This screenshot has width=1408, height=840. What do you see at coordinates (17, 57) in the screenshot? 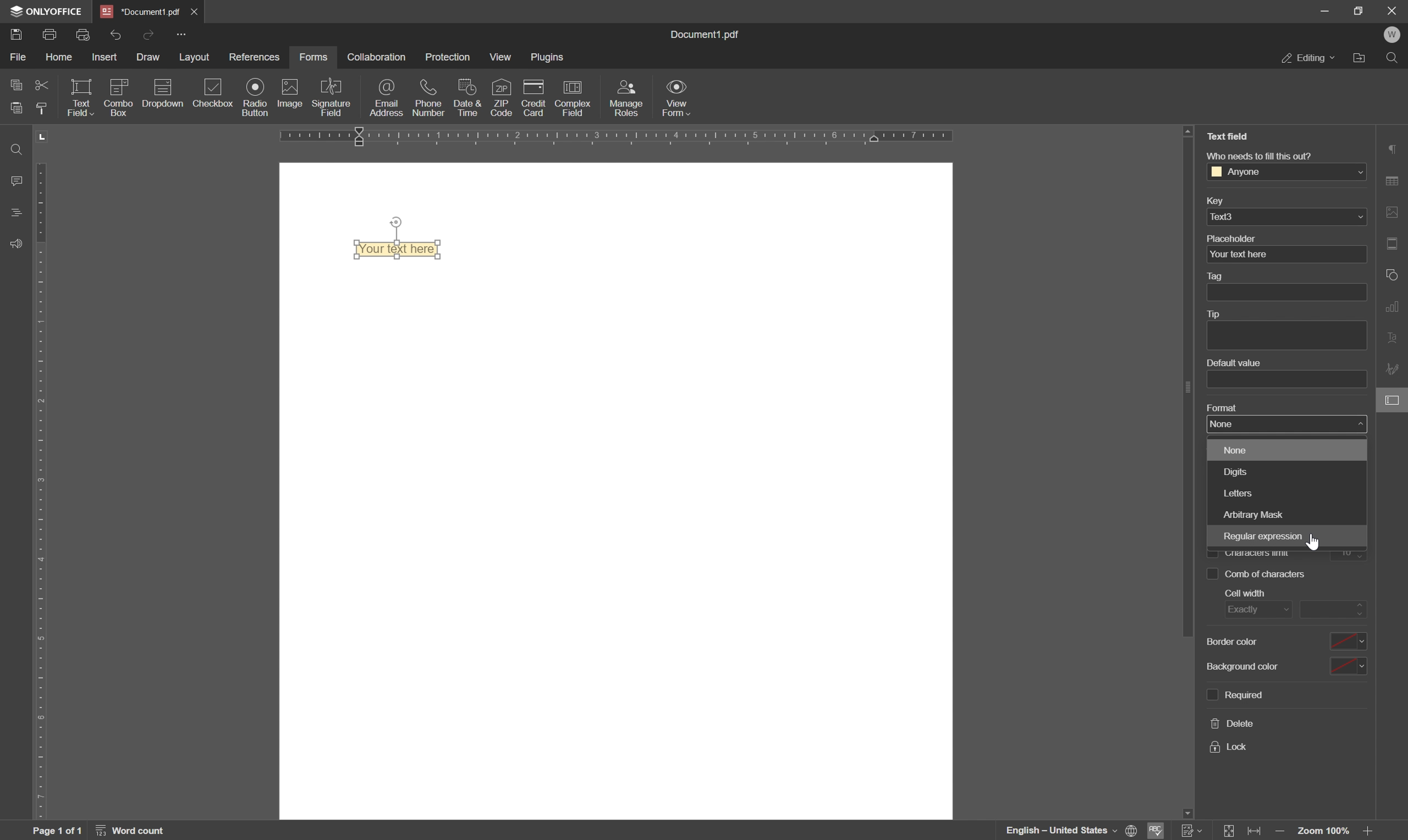
I see `file` at bounding box center [17, 57].